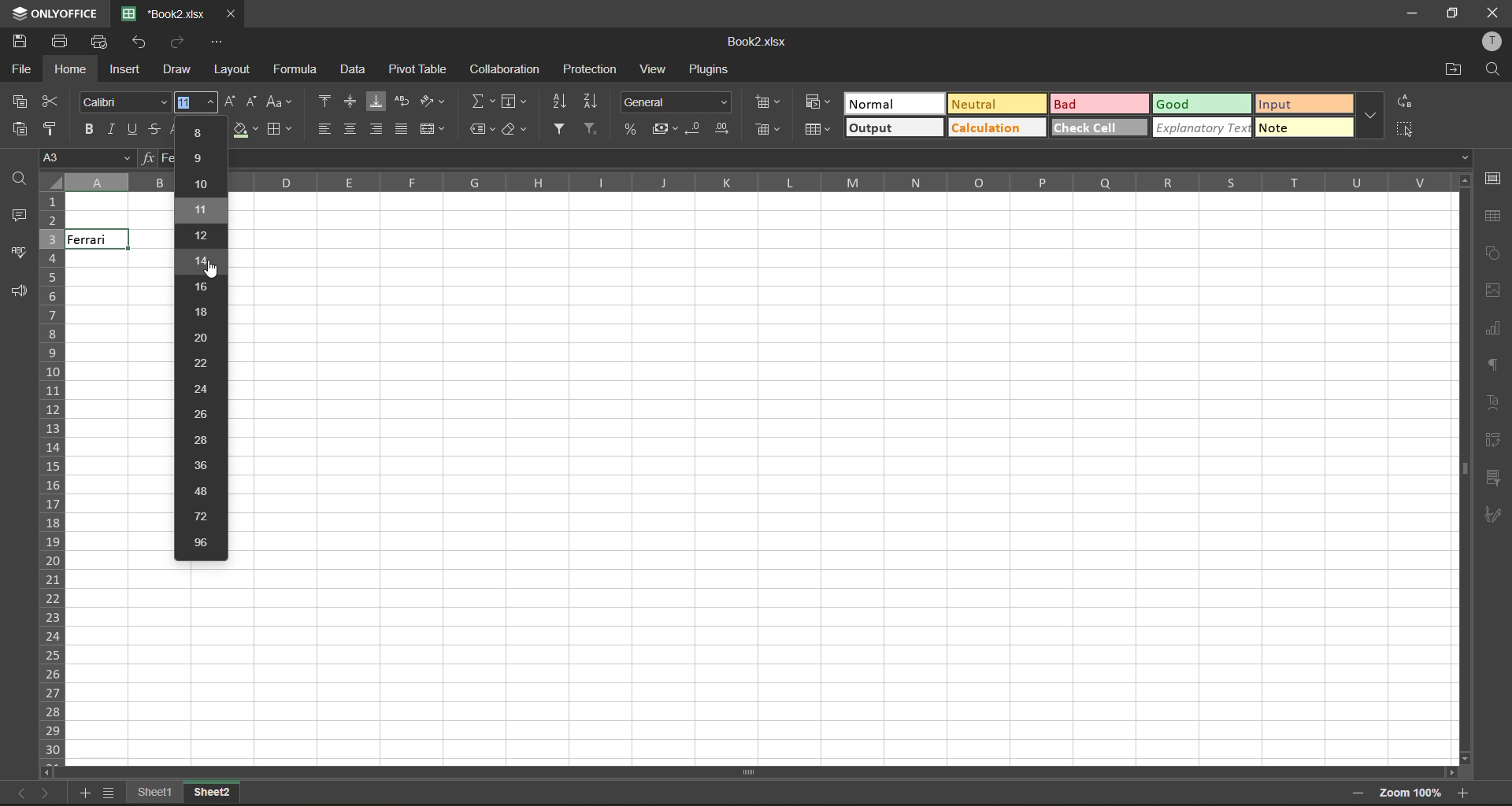 Image resolution: width=1512 pixels, height=806 pixels. What do you see at coordinates (1496, 10) in the screenshot?
I see `close` at bounding box center [1496, 10].